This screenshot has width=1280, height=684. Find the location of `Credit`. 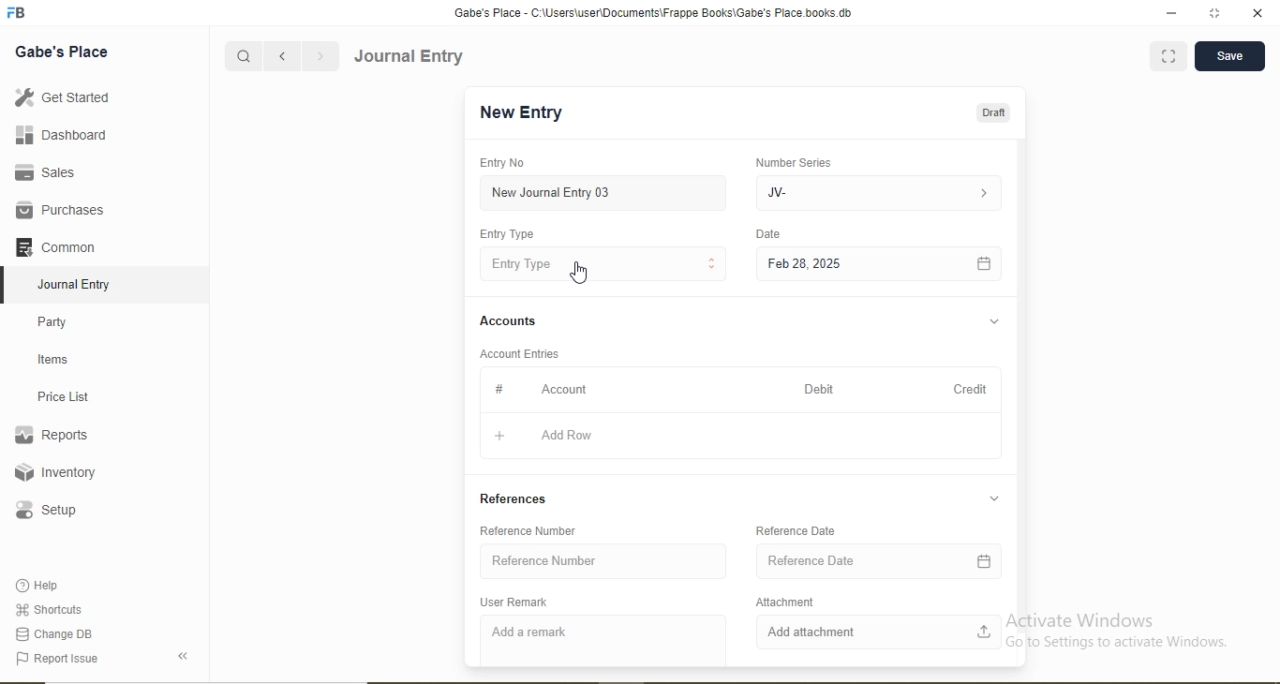

Credit is located at coordinates (970, 389).